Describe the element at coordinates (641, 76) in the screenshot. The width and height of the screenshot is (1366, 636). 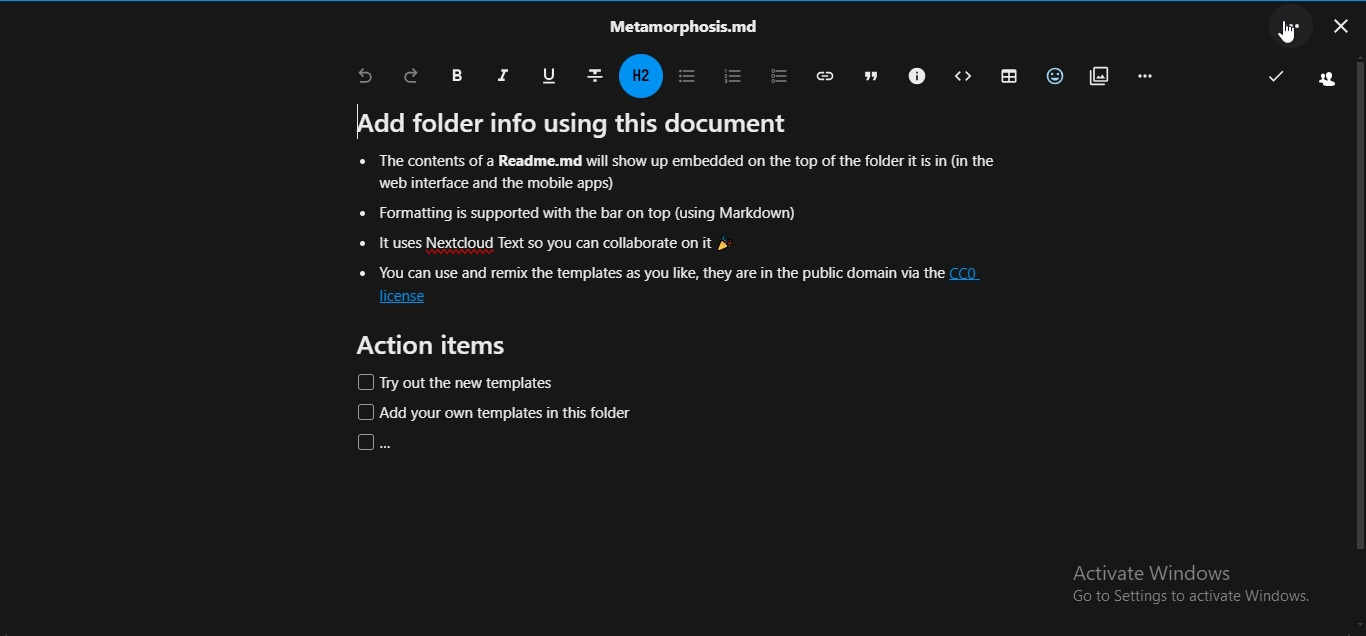
I see `headings` at that location.